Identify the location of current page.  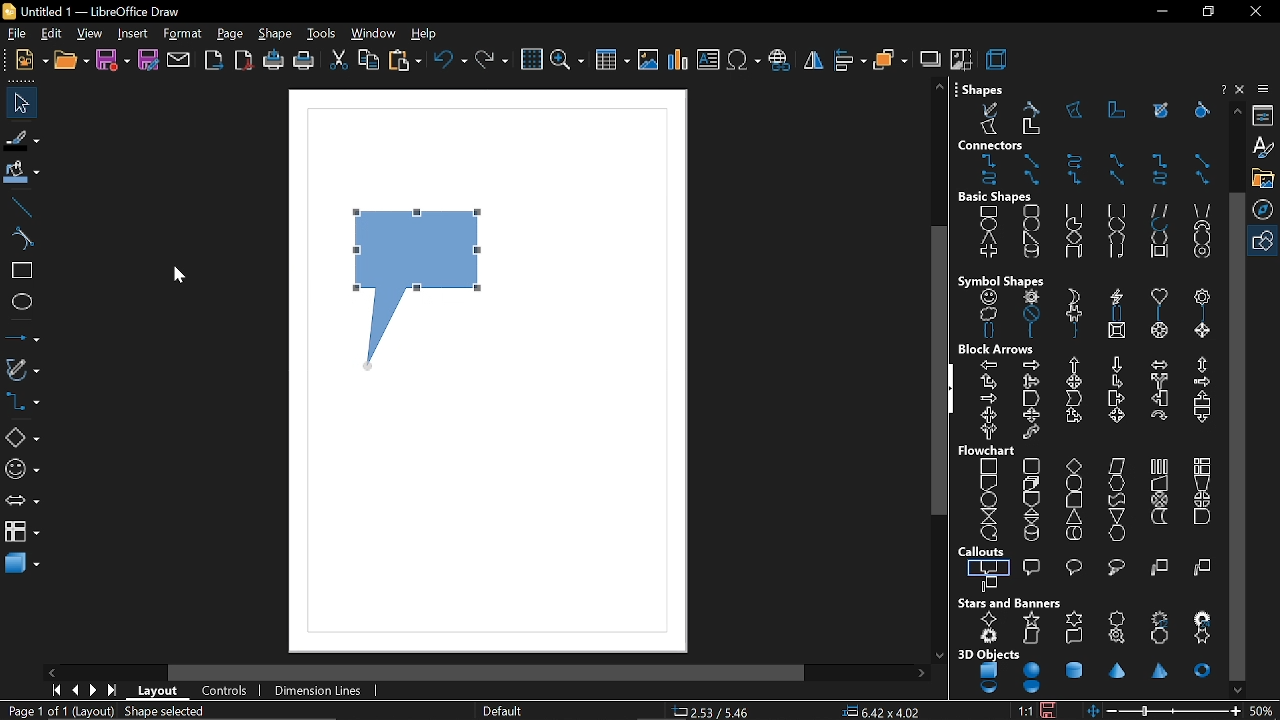
(40, 712).